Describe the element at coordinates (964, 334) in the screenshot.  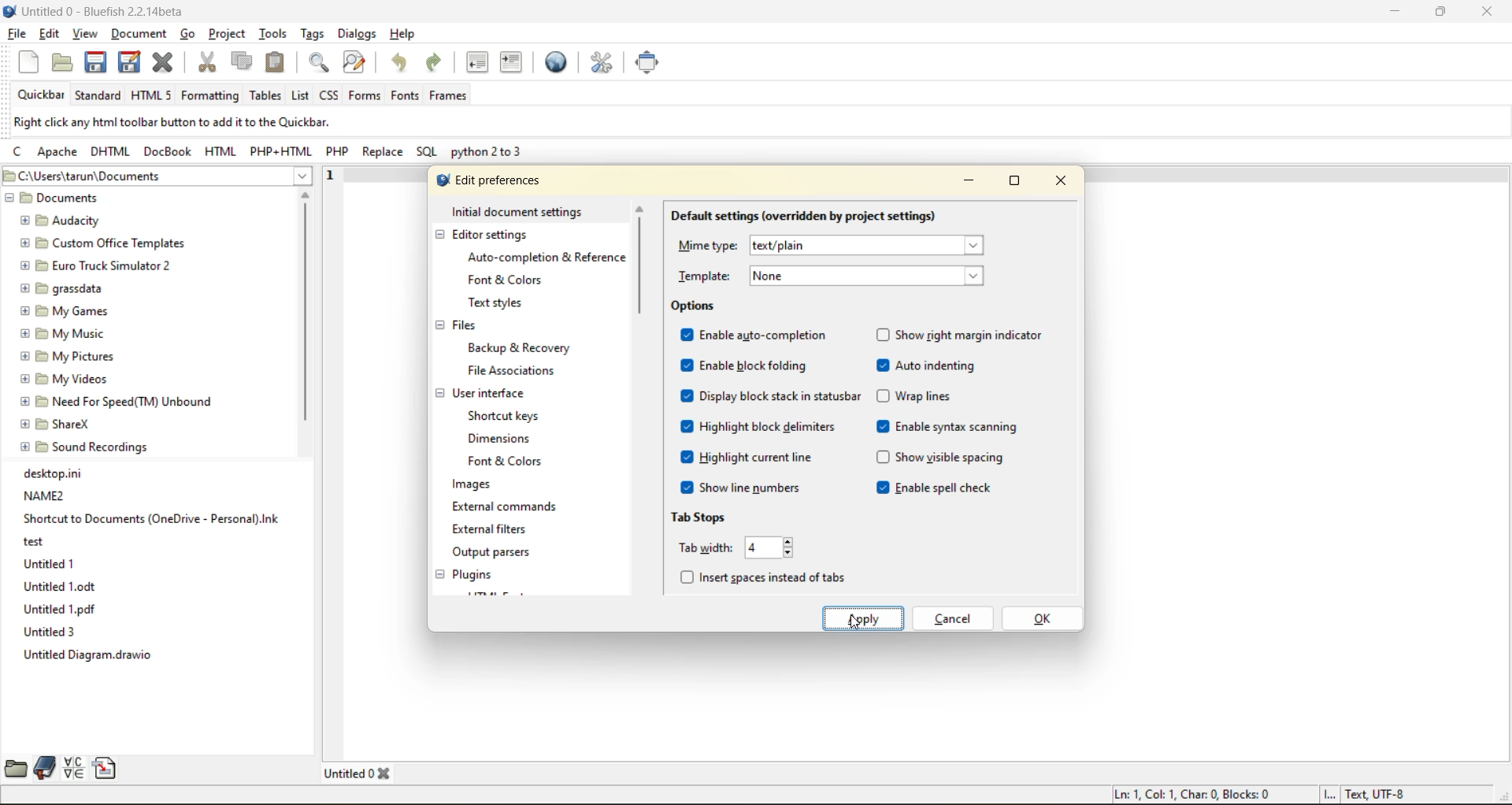
I see `show right margin indicator` at that location.